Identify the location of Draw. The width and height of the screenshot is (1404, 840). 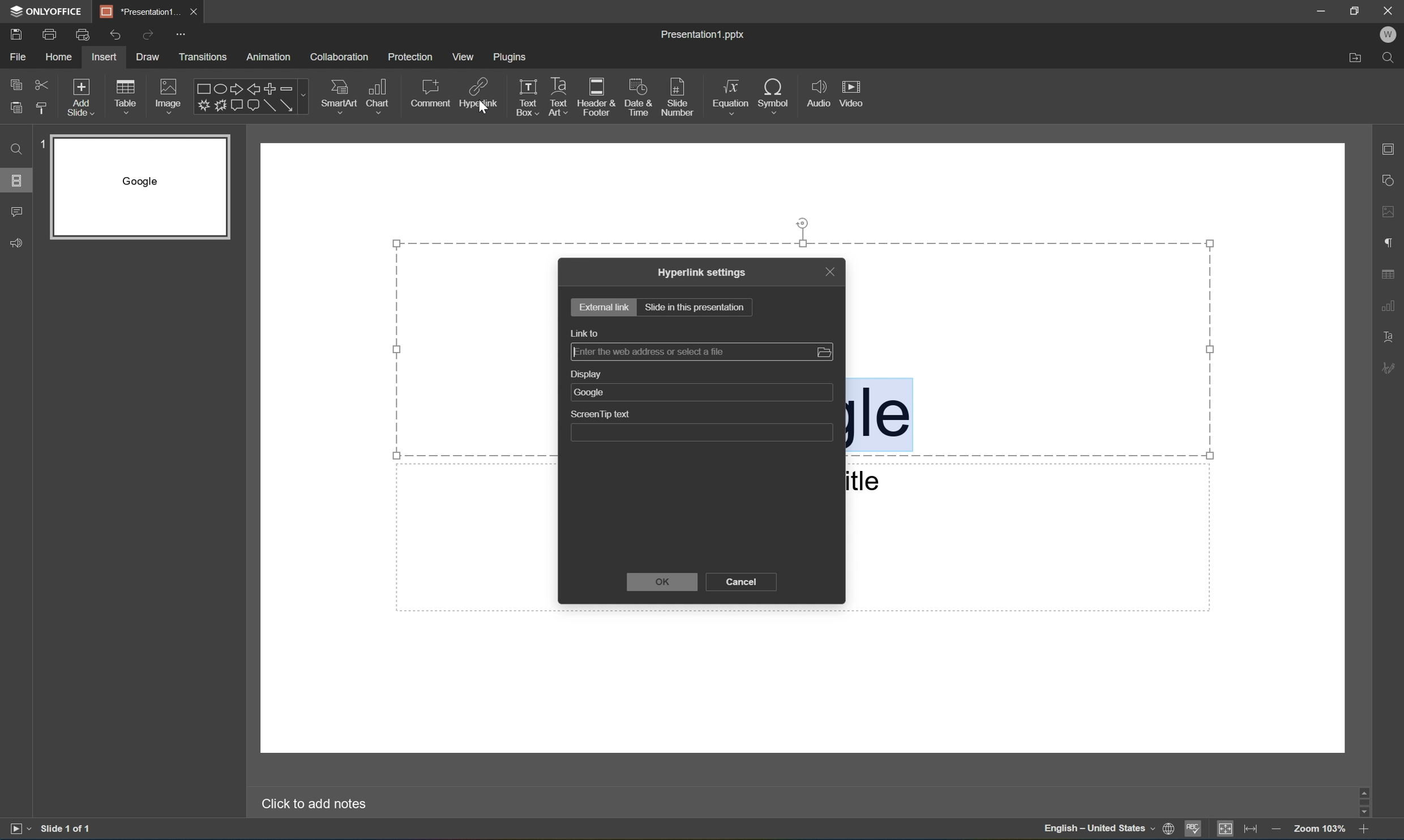
(147, 57).